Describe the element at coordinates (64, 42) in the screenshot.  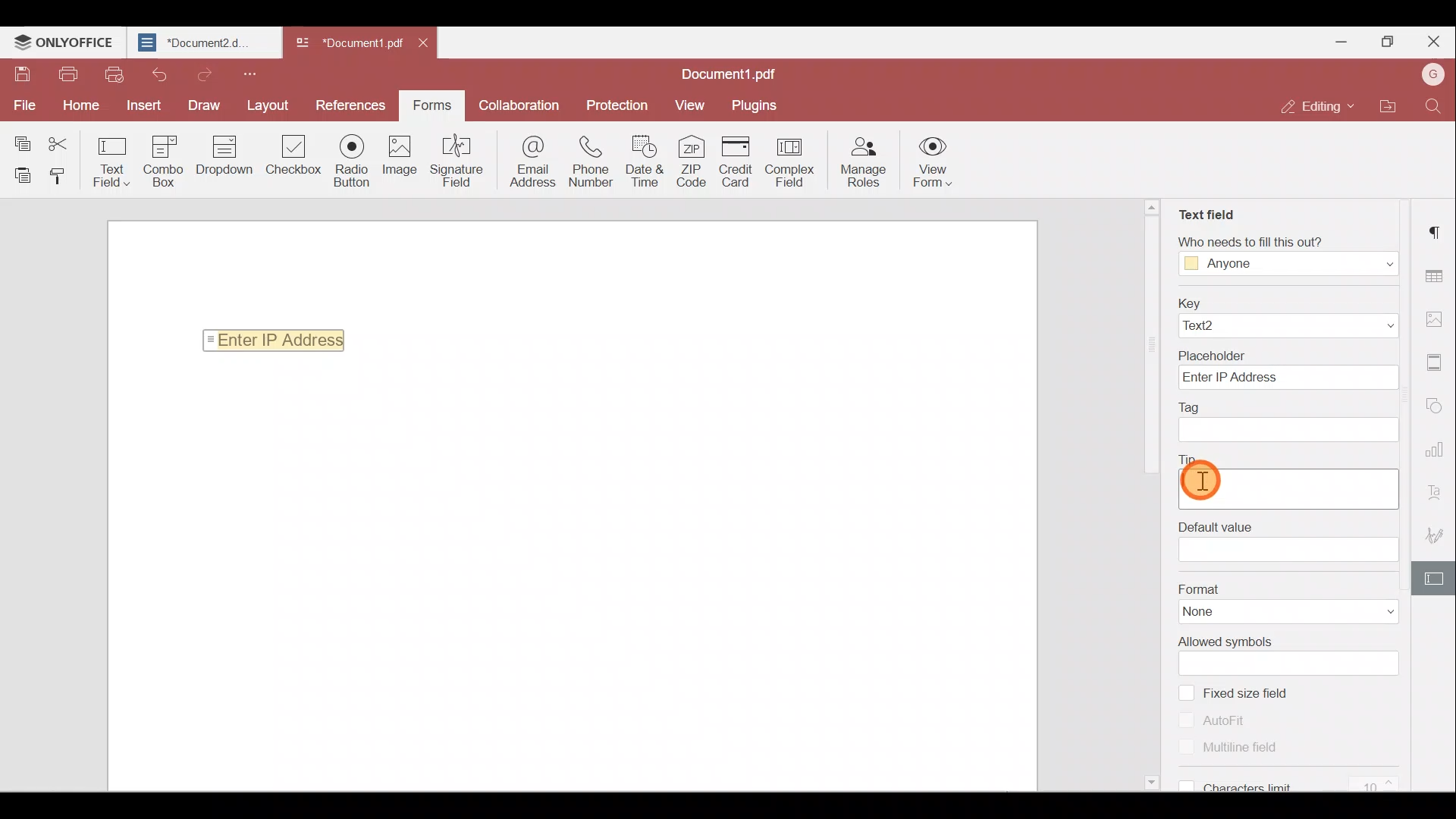
I see `ONLYOFFICE` at that location.